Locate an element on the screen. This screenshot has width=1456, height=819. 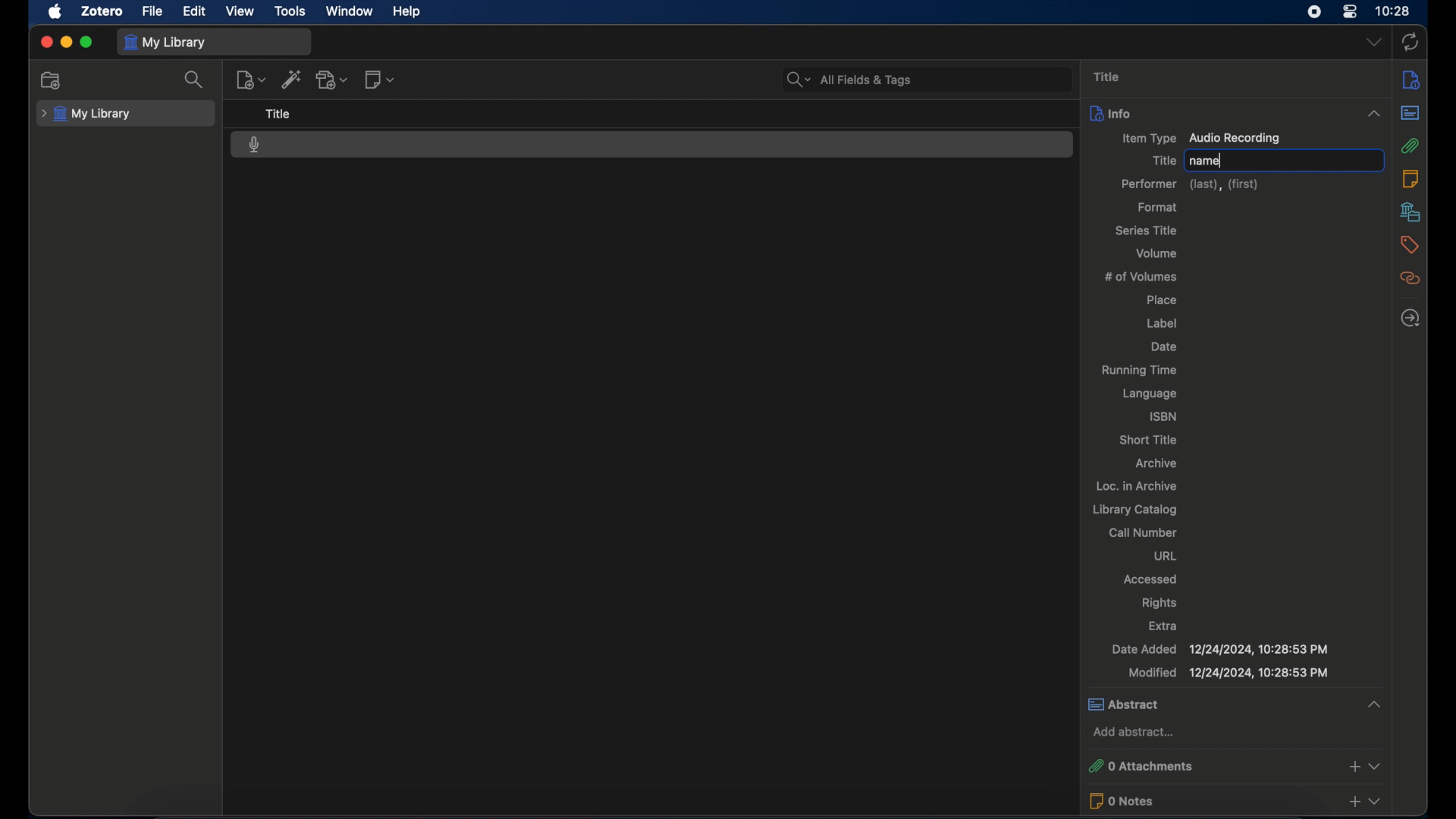
edit is located at coordinates (195, 12).